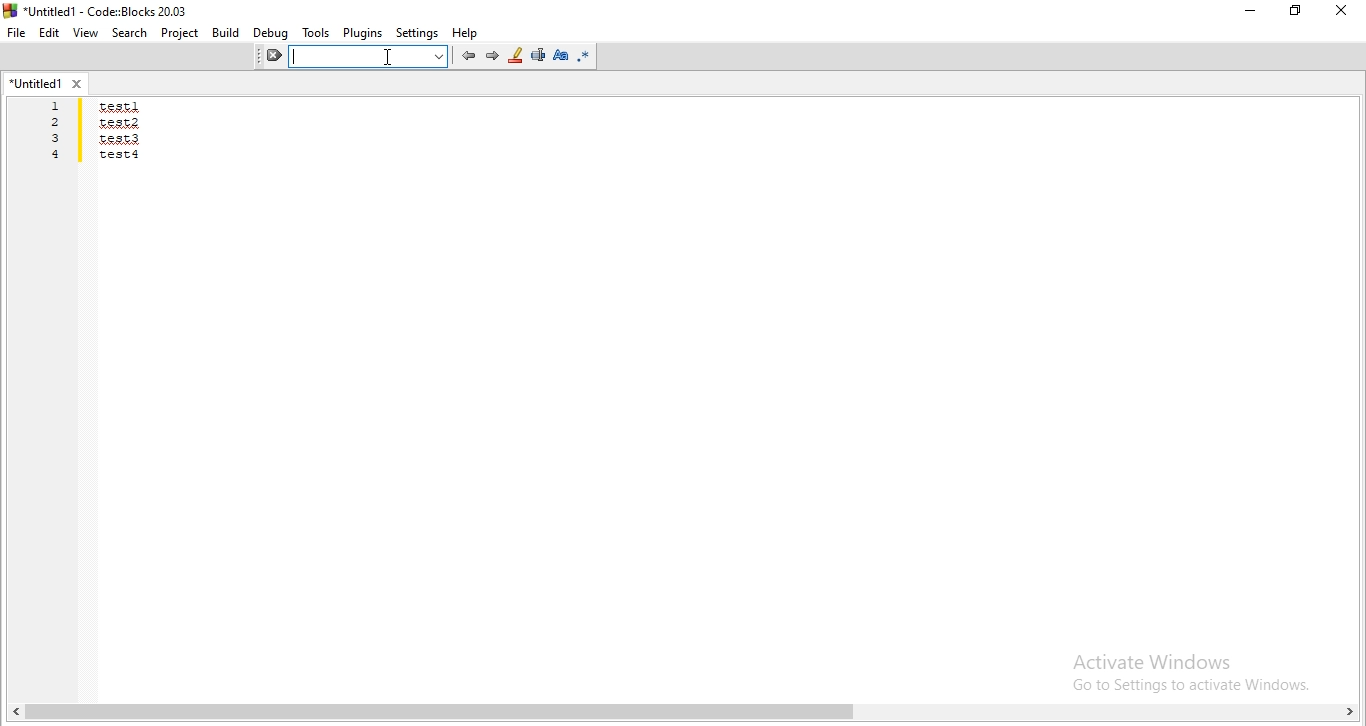  I want to click on test 1, so click(120, 106).